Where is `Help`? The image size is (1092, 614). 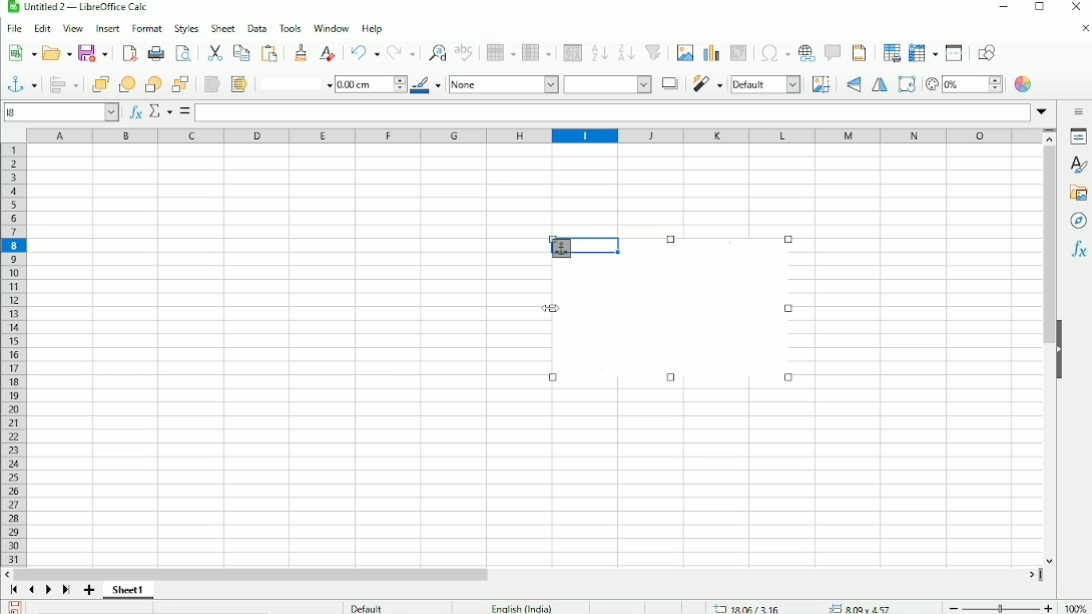 Help is located at coordinates (372, 28).